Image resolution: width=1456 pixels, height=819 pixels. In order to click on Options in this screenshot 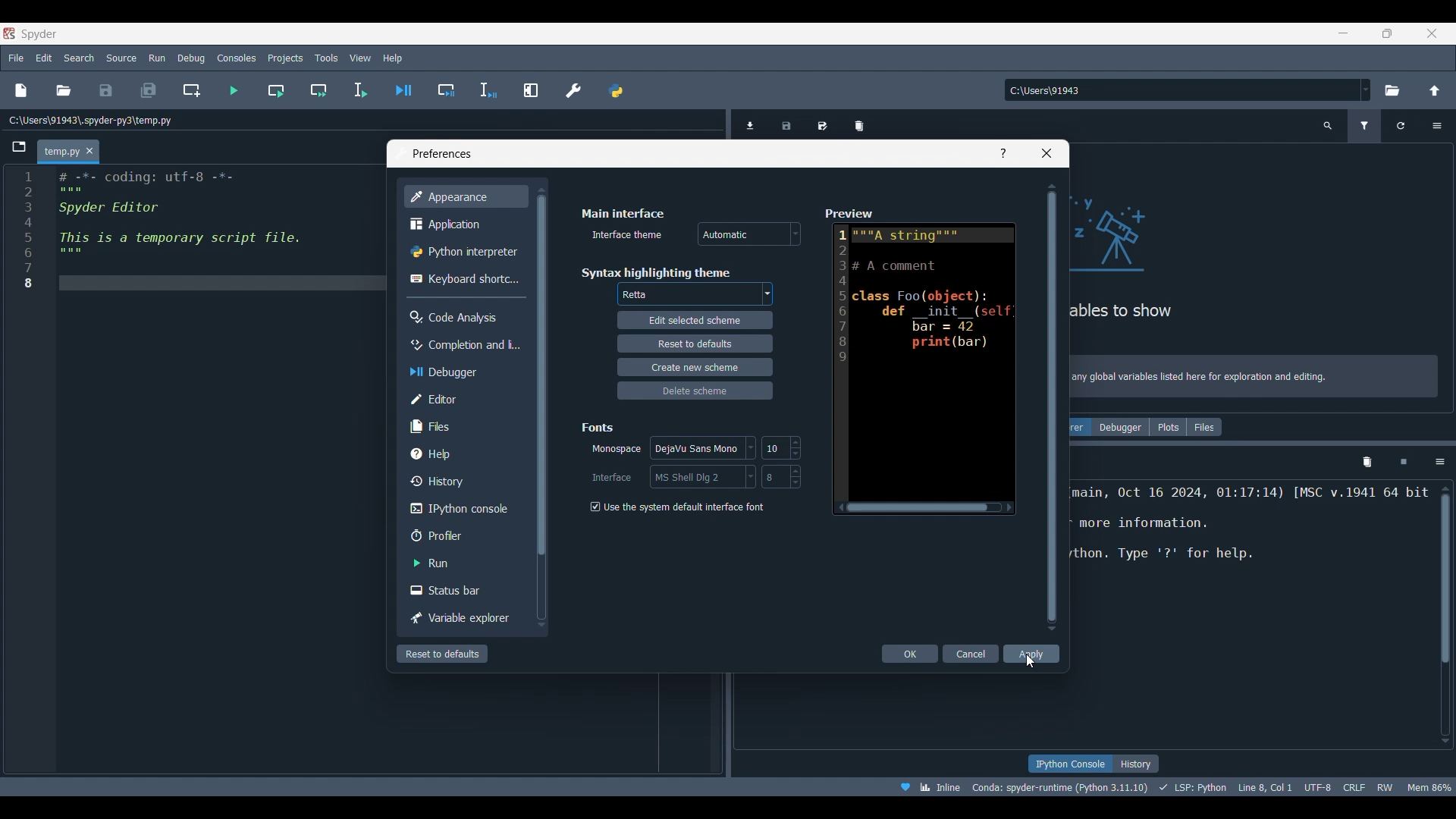, I will do `click(1440, 462)`.